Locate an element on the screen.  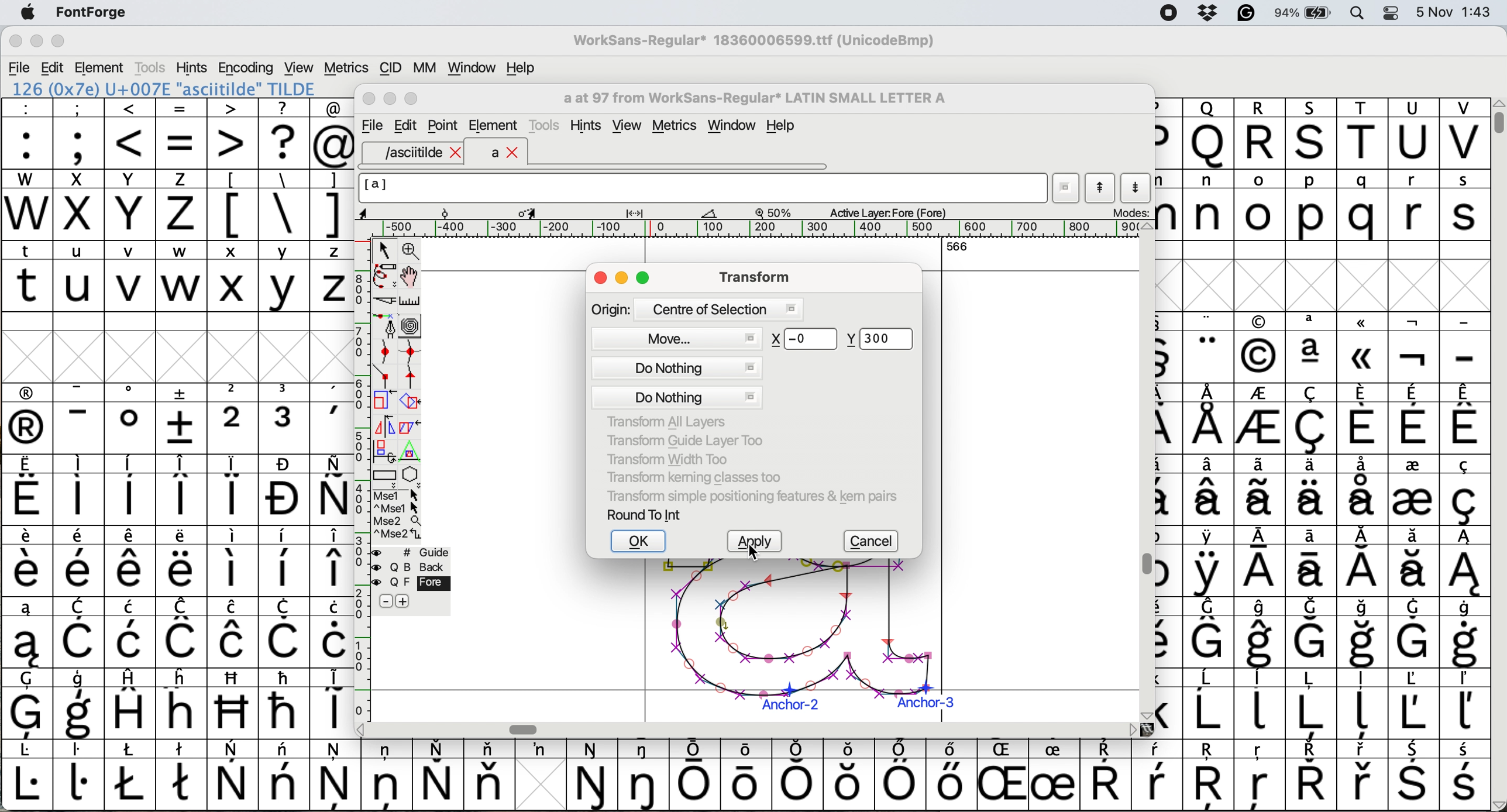
symbol is located at coordinates (286, 418).